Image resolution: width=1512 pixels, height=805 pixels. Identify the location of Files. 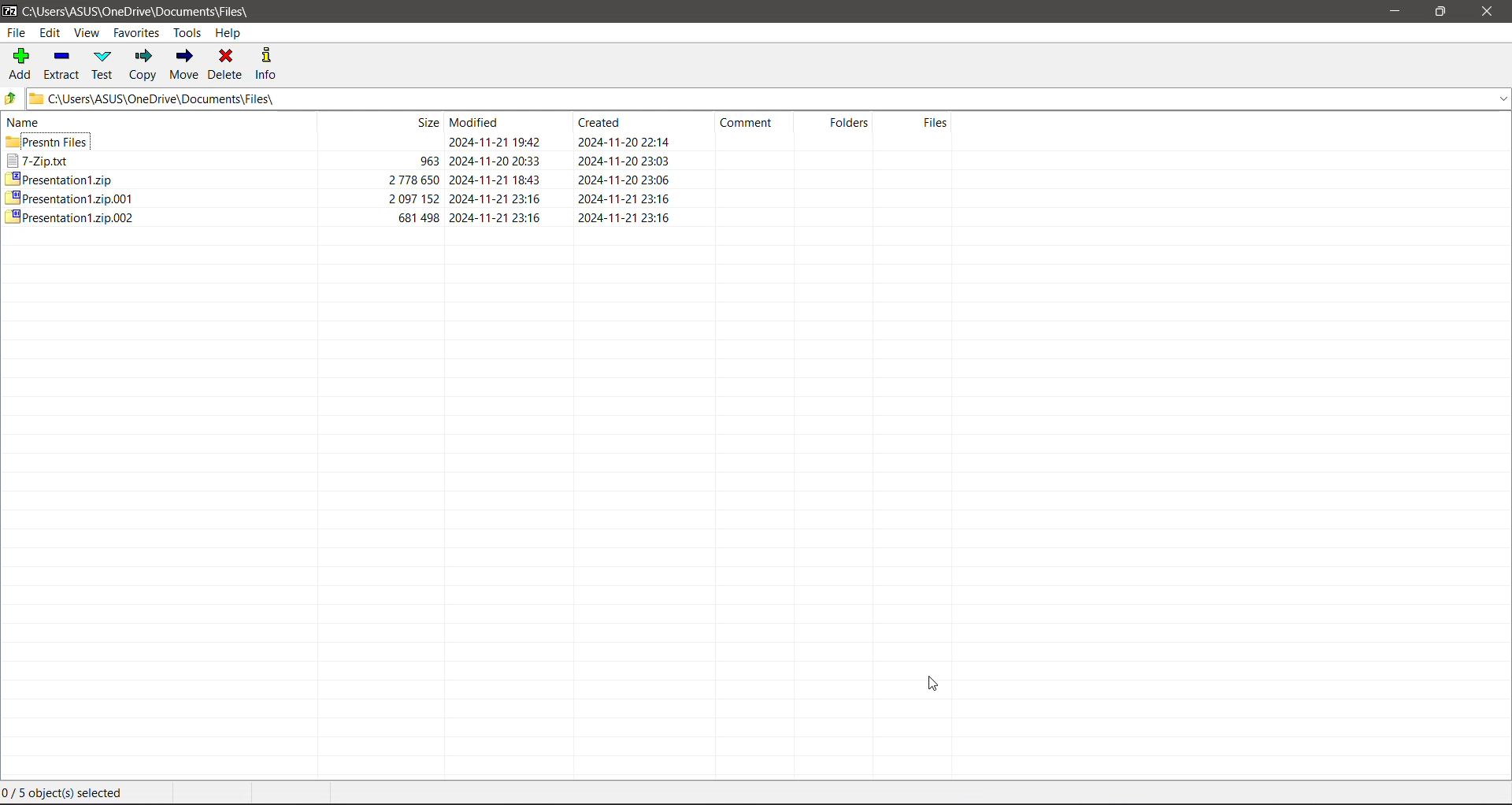
(943, 122).